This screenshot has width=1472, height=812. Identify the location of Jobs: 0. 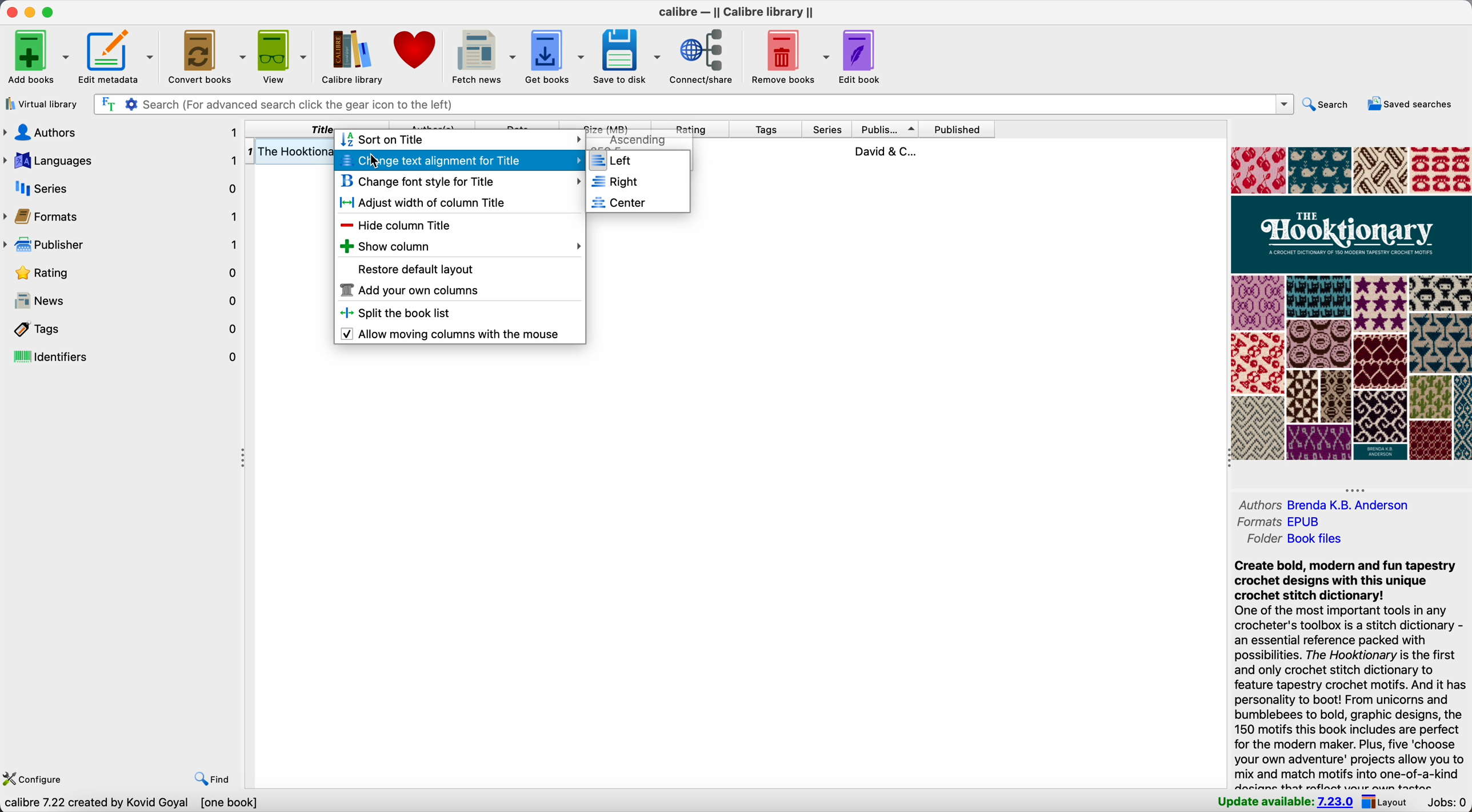
(1446, 802).